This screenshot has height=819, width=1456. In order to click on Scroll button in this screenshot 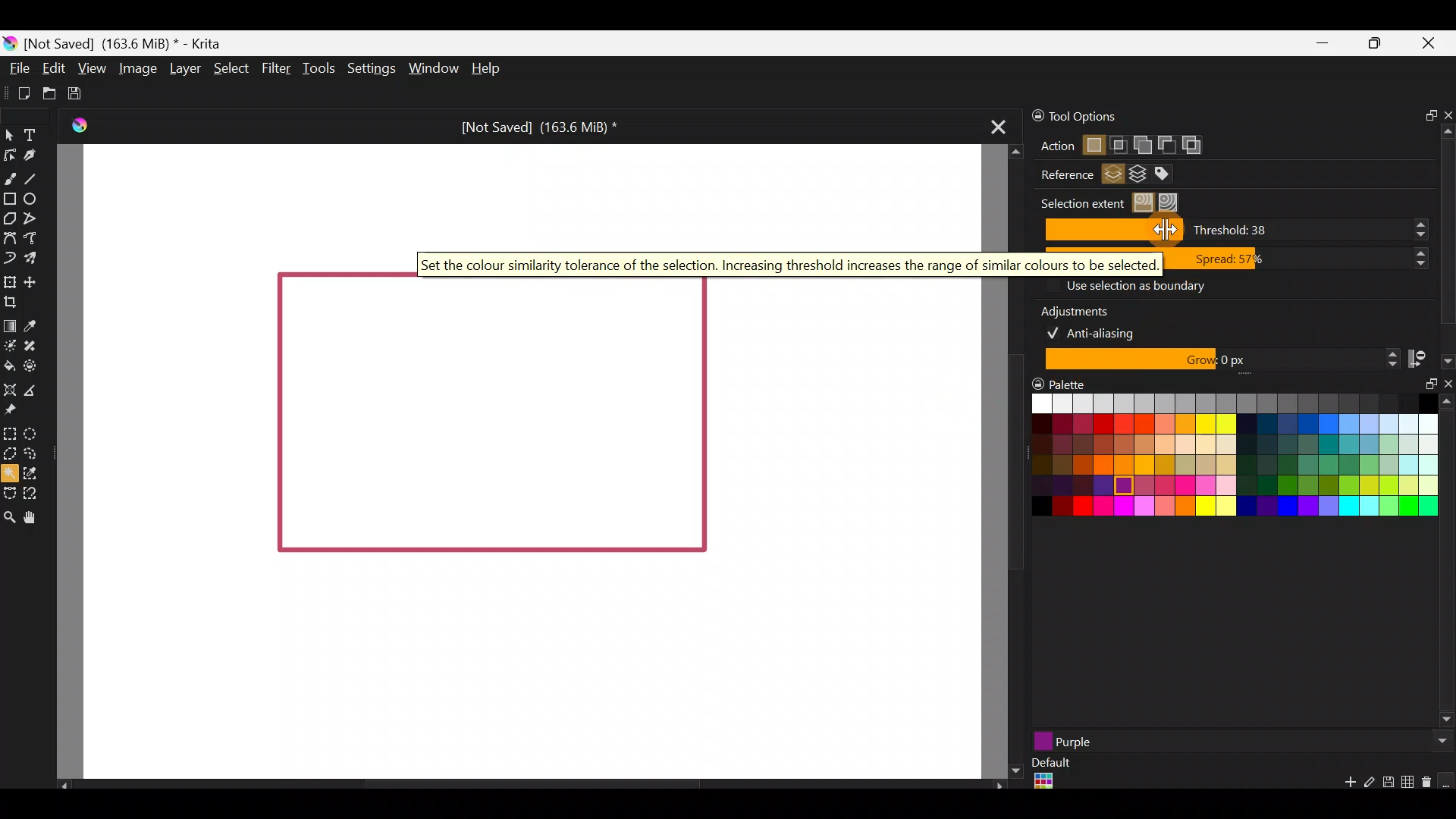, I will do `click(1439, 741)`.